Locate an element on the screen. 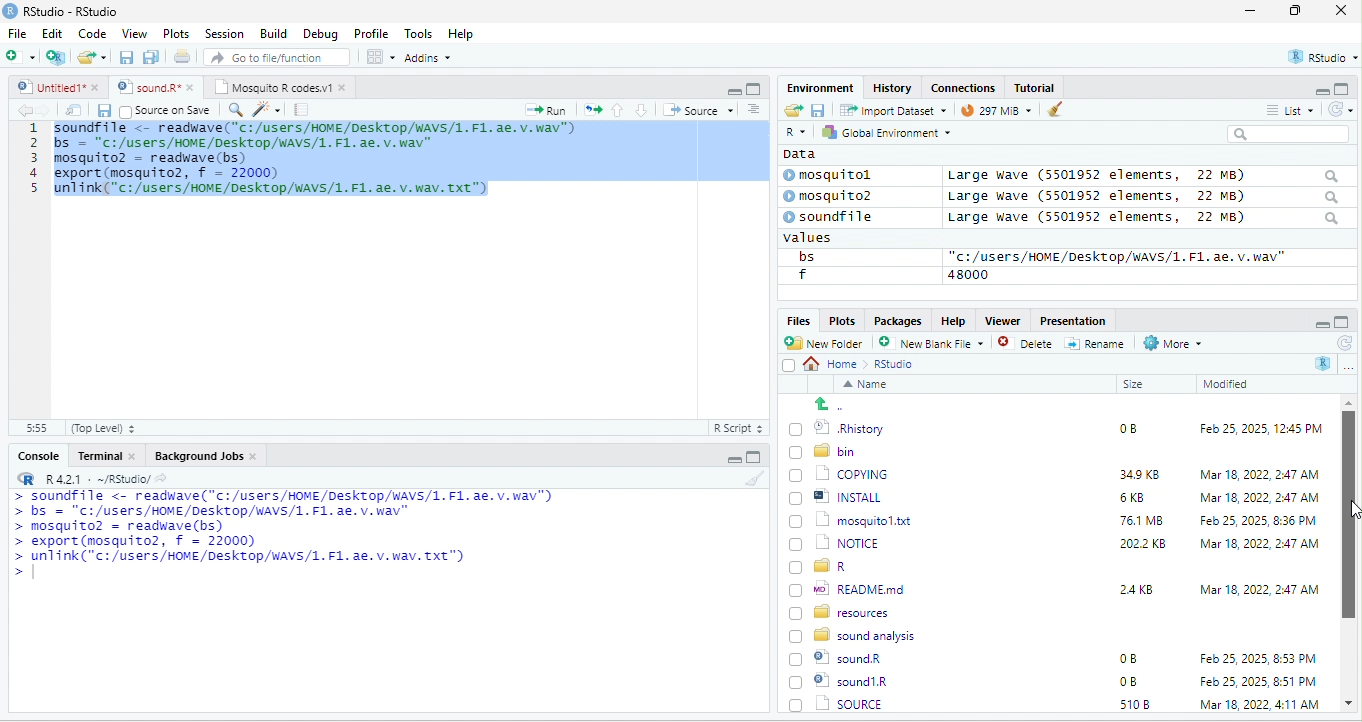 The image size is (1362, 722). new project is located at coordinates (57, 57).